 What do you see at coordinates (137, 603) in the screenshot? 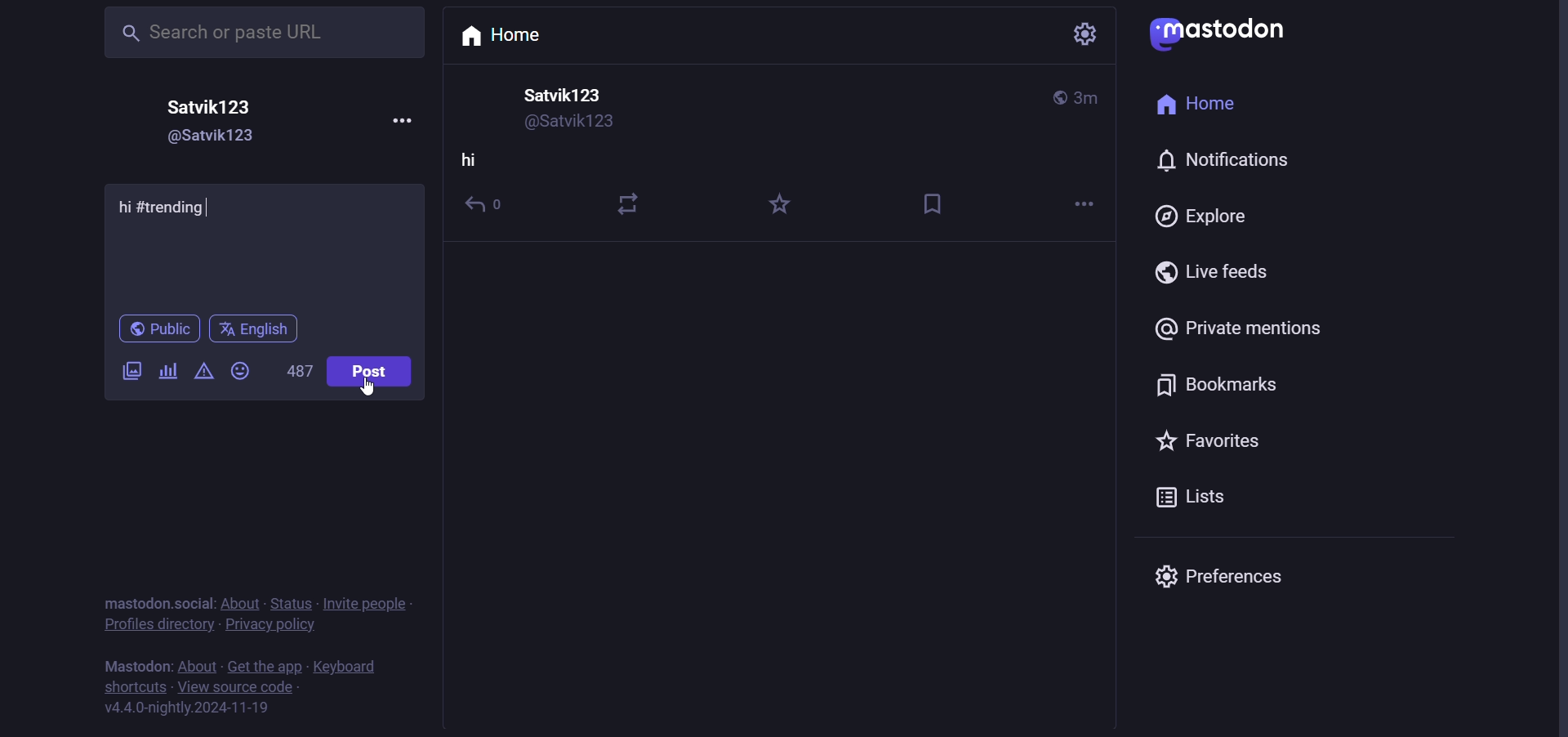
I see `text` at bounding box center [137, 603].